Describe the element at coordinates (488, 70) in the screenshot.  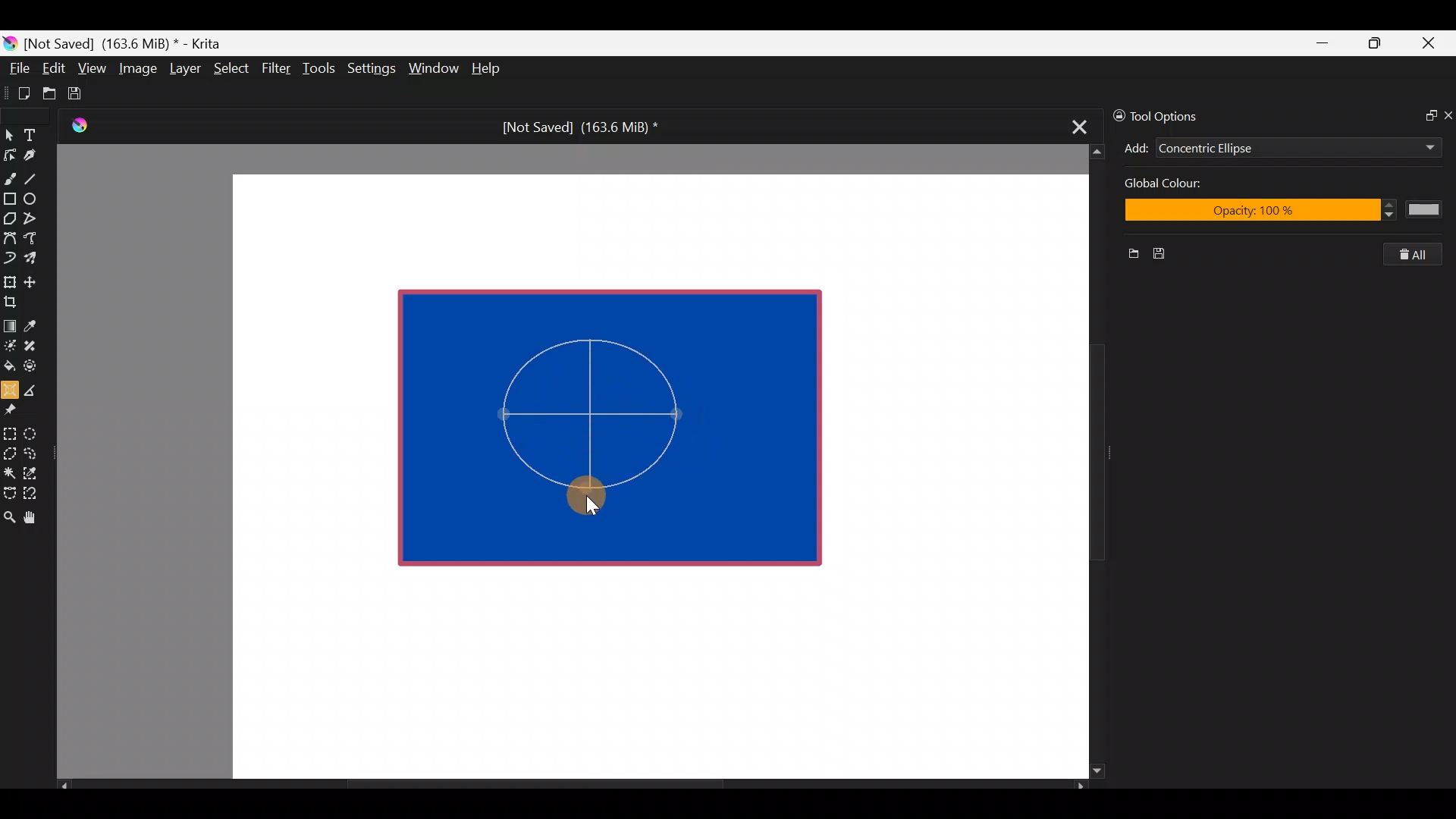
I see `Help` at that location.